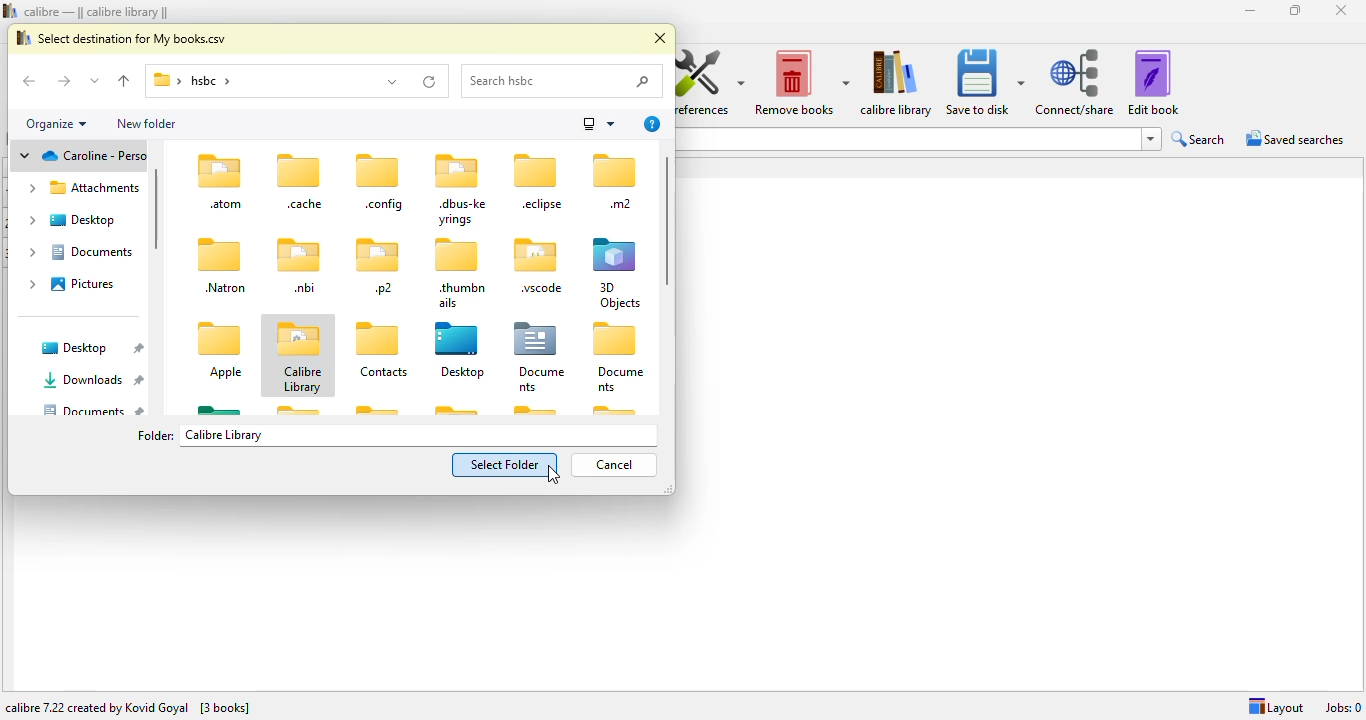 This screenshot has height=720, width=1366. Describe the element at coordinates (82, 376) in the screenshot. I see `folders` at that location.